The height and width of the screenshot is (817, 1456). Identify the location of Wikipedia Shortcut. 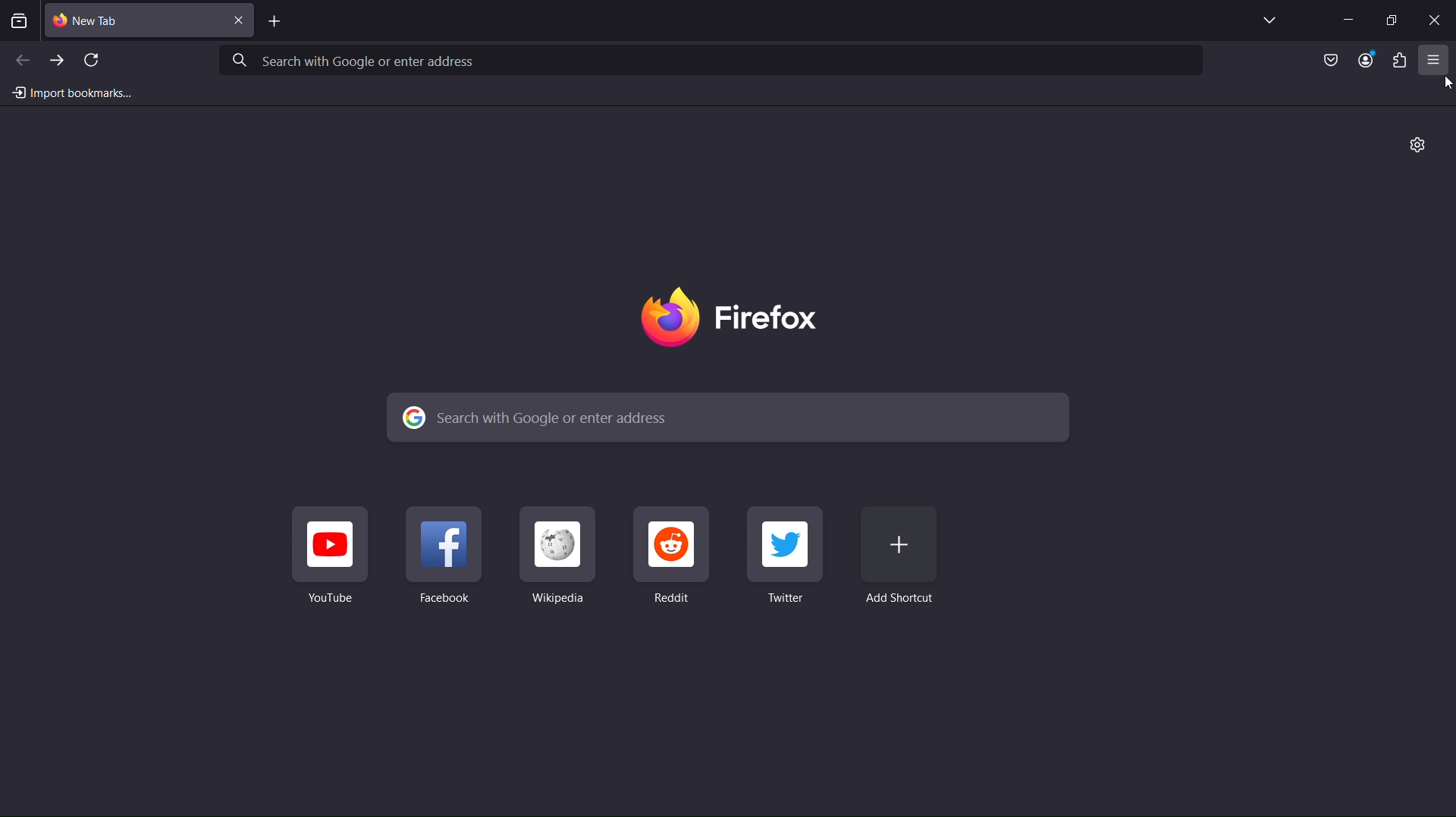
(563, 556).